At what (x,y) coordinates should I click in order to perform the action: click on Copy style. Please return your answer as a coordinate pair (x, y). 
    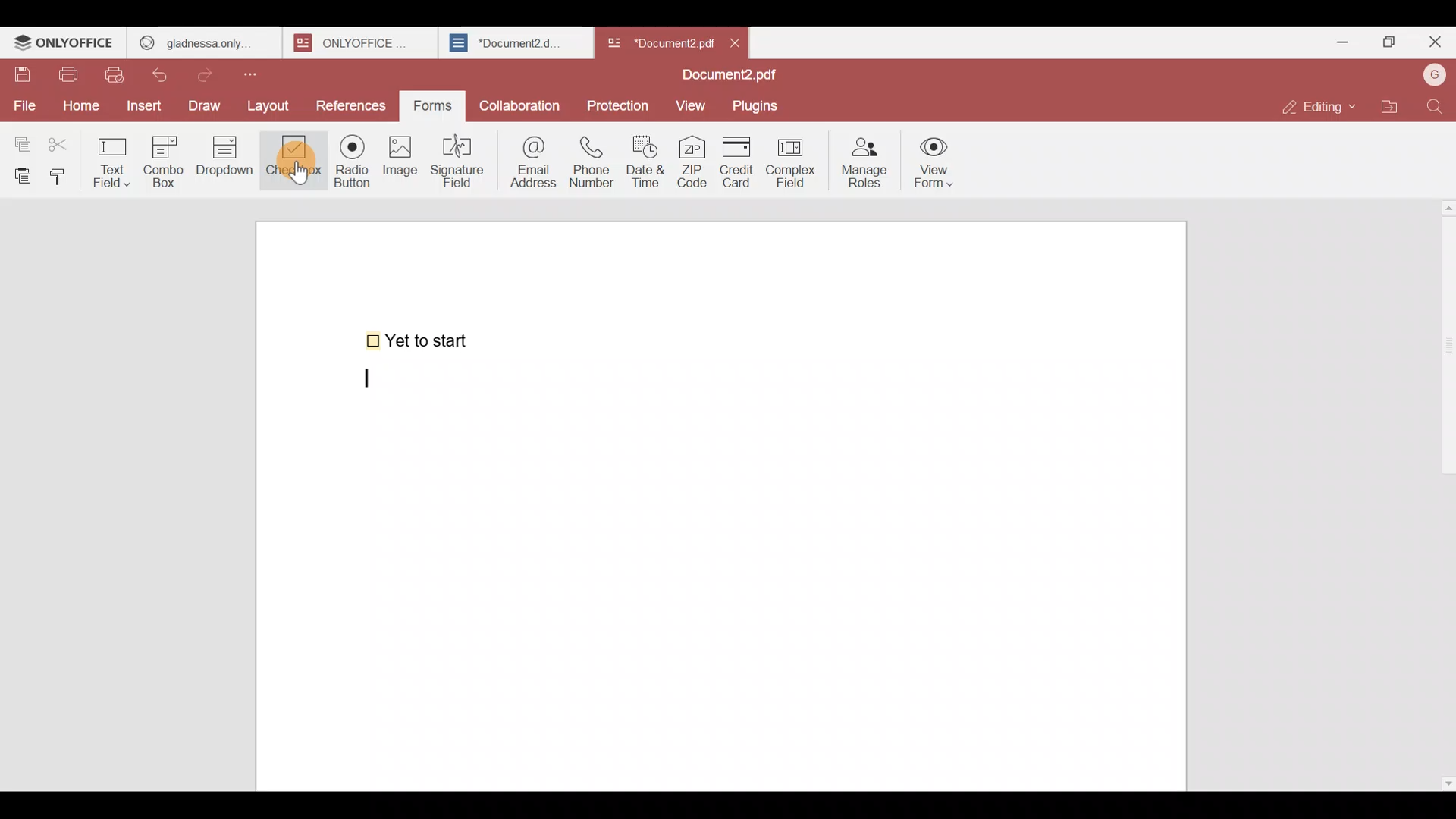
    Looking at the image, I should click on (64, 173).